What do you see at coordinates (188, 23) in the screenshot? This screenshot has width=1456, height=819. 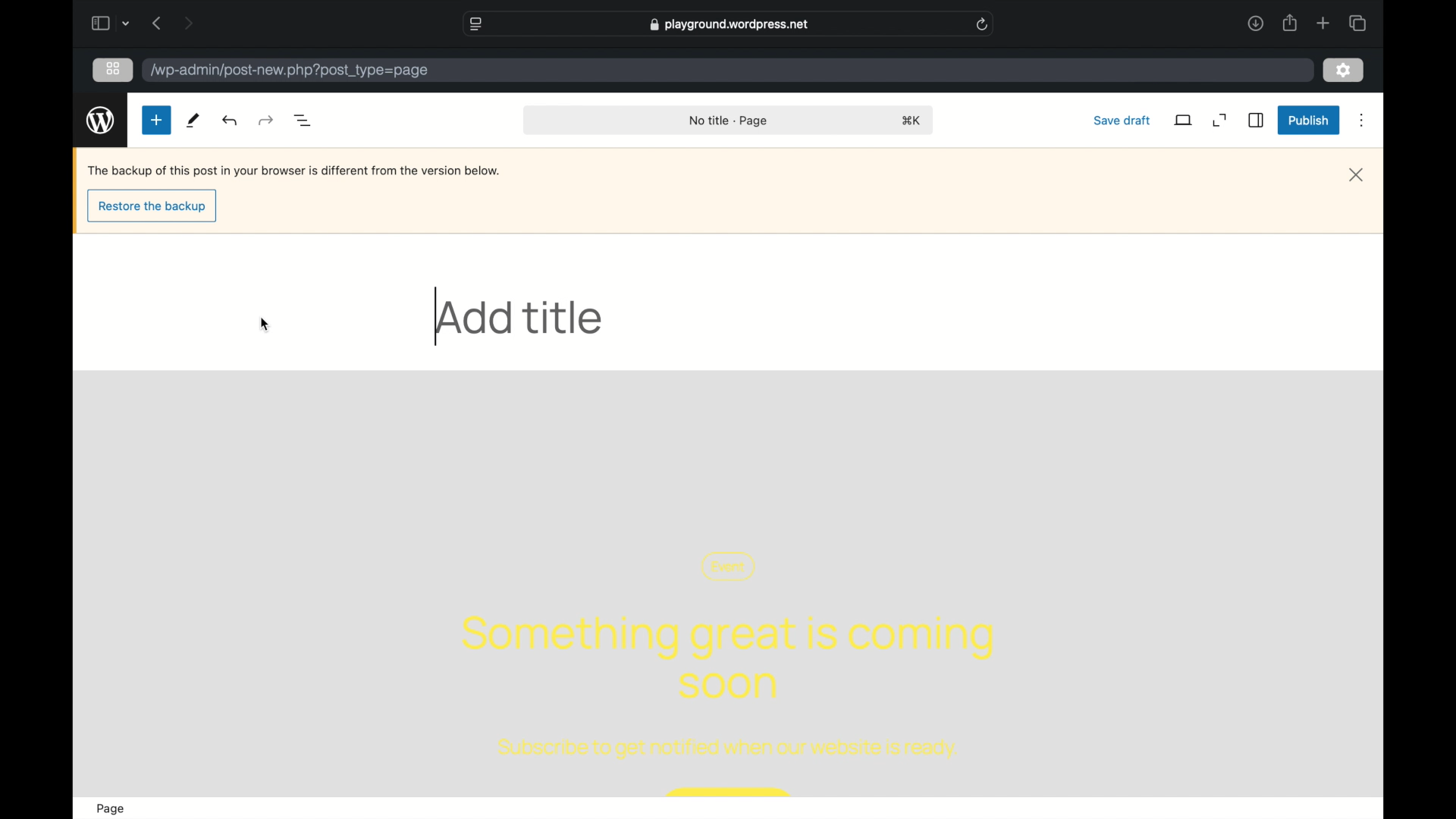 I see `next page` at bounding box center [188, 23].